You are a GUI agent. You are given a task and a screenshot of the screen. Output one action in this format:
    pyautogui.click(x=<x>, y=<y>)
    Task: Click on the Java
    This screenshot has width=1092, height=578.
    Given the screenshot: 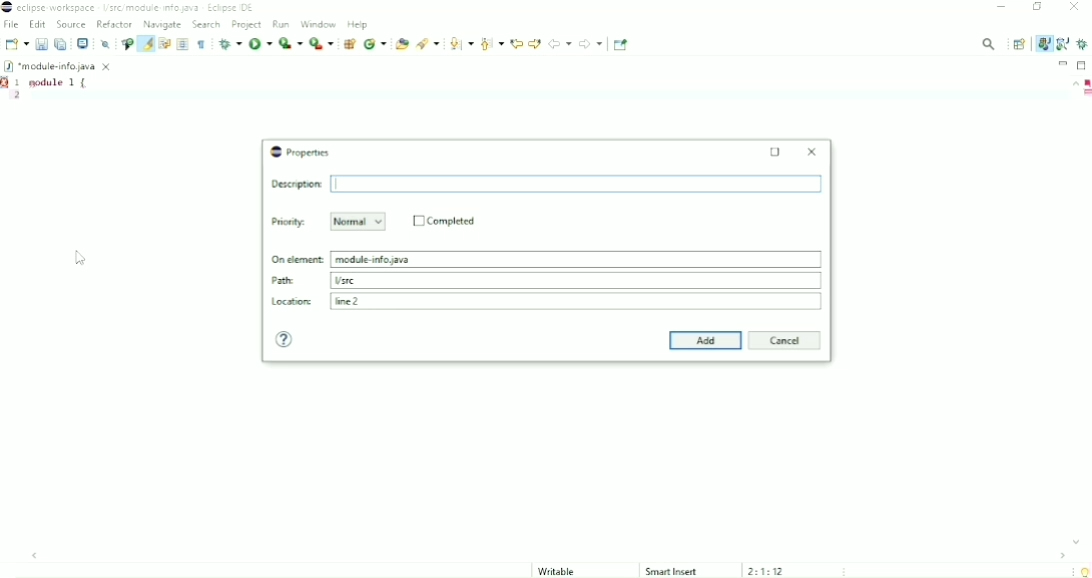 What is the action you would take?
    pyautogui.click(x=1043, y=43)
    